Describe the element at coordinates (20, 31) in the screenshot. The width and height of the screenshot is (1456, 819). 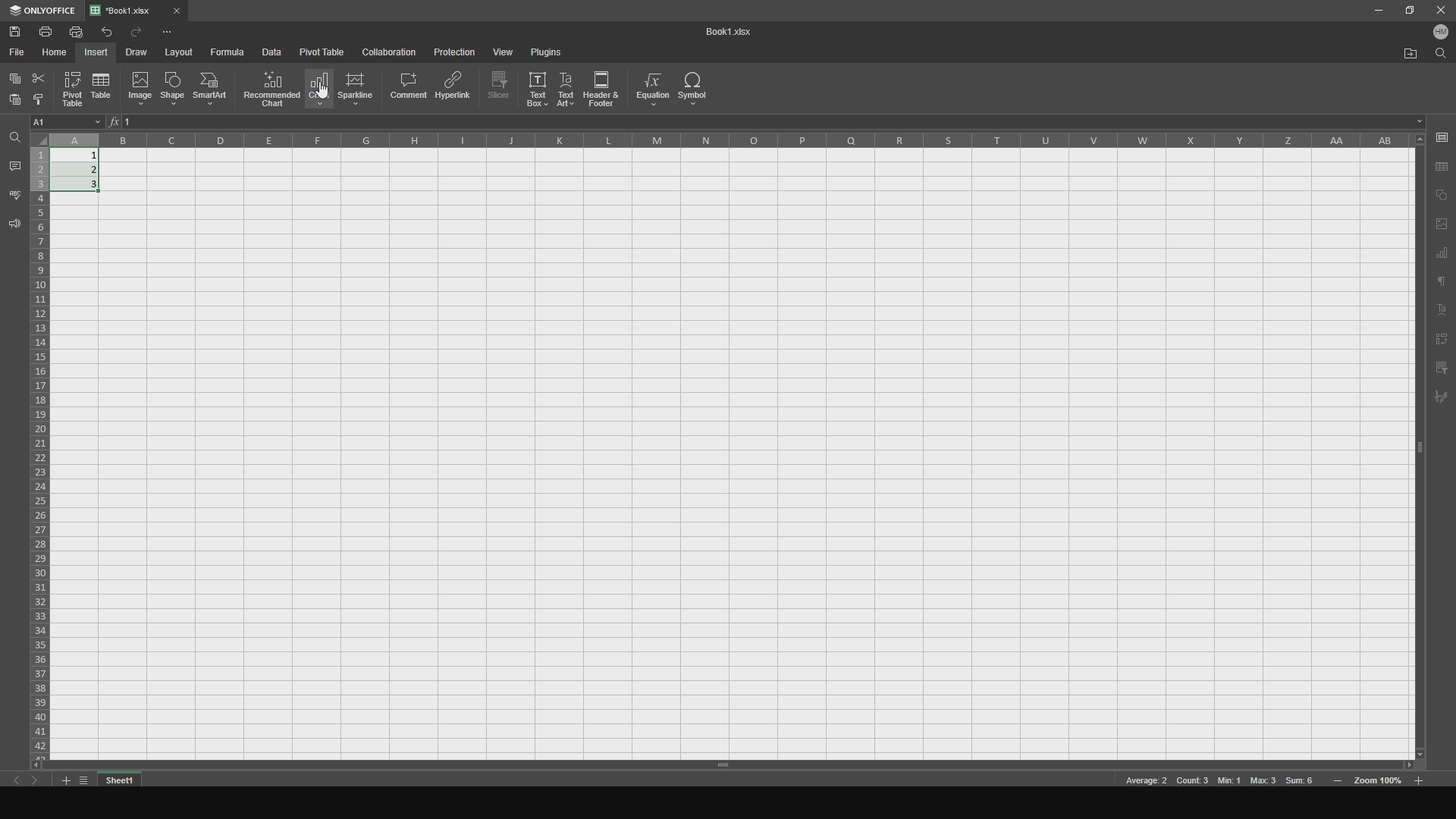
I see `save` at that location.